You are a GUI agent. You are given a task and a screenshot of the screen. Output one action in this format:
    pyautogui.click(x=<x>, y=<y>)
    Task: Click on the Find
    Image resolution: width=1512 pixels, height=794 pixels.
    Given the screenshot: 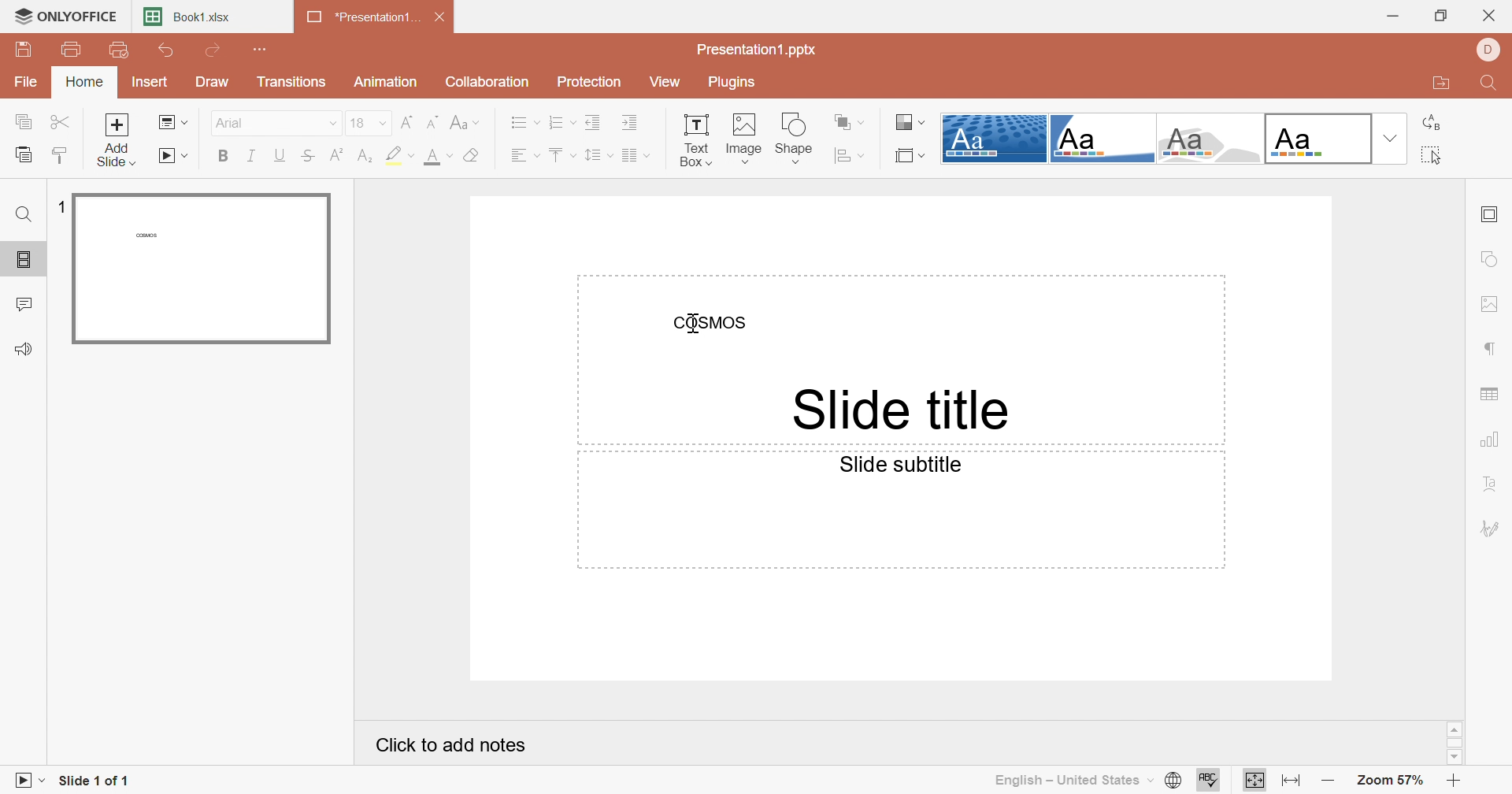 What is the action you would take?
    pyautogui.click(x=1492, y=86)
    